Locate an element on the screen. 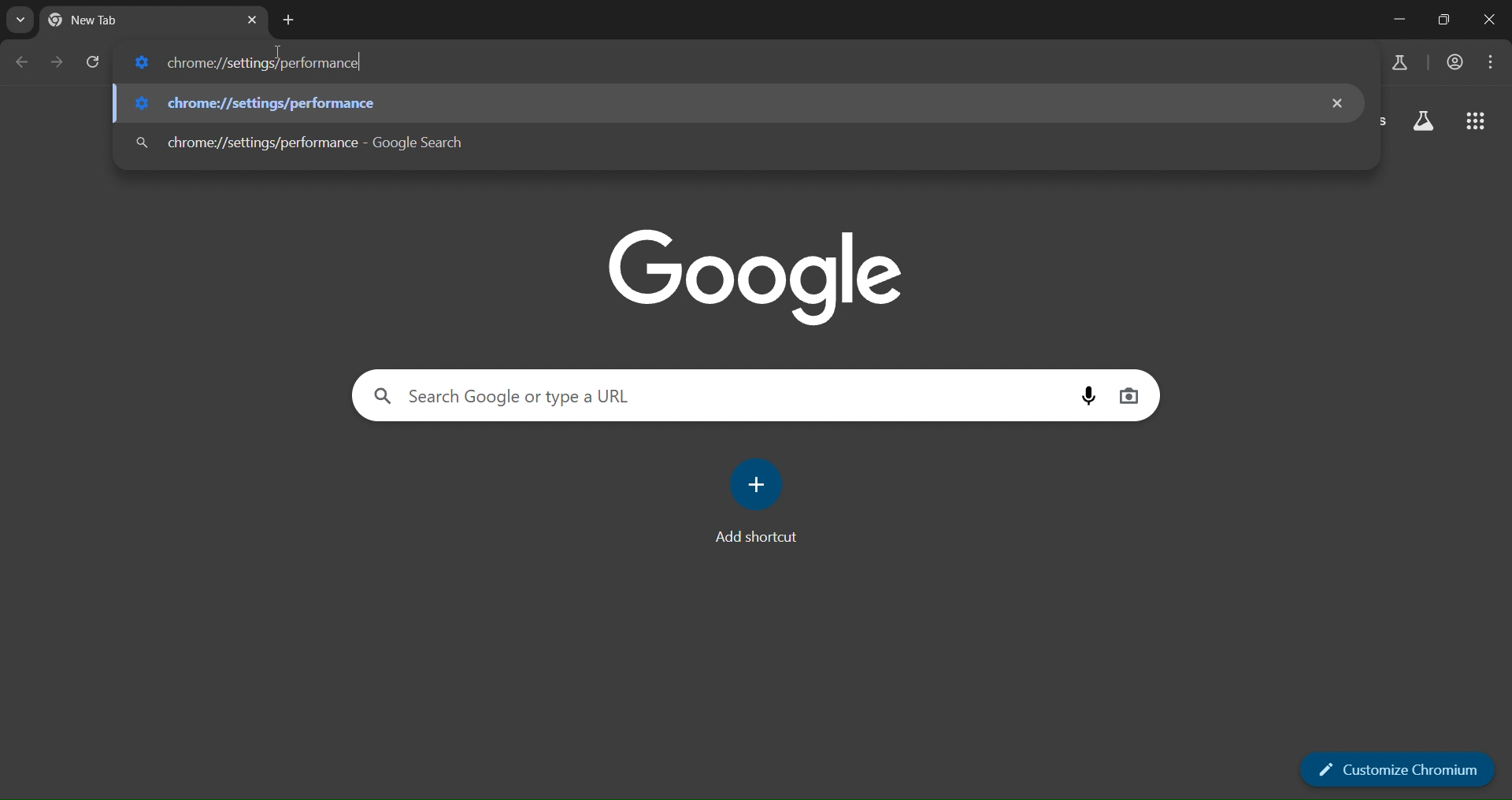 The height and width of the screenshot is (800, 1512). add shortcut is located at coordinates (759, 509).